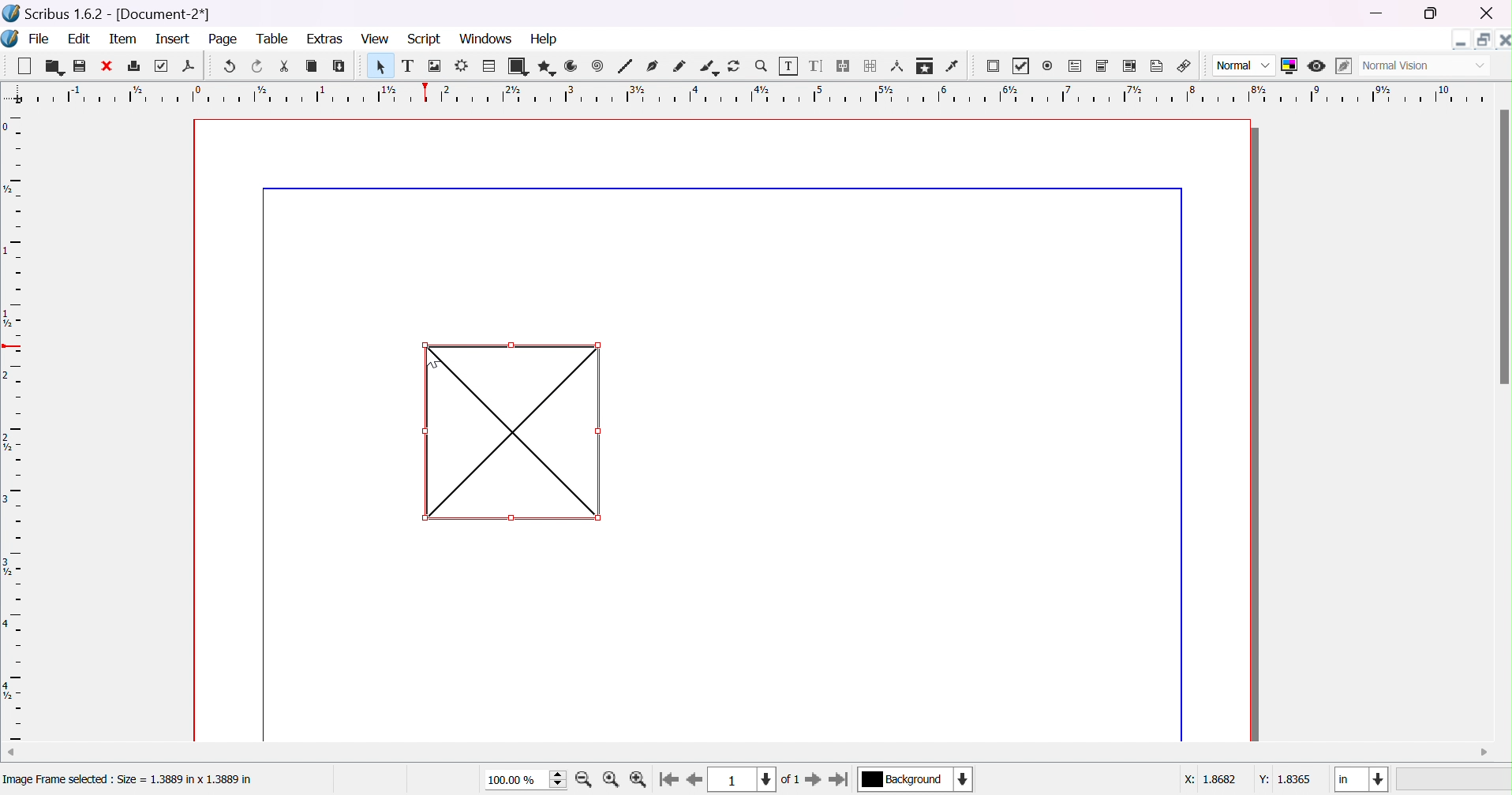 This screenshot has height=795, width=1512. Describe the element at coordinates (51, 67) in the screenshot. I see `open` at that location.